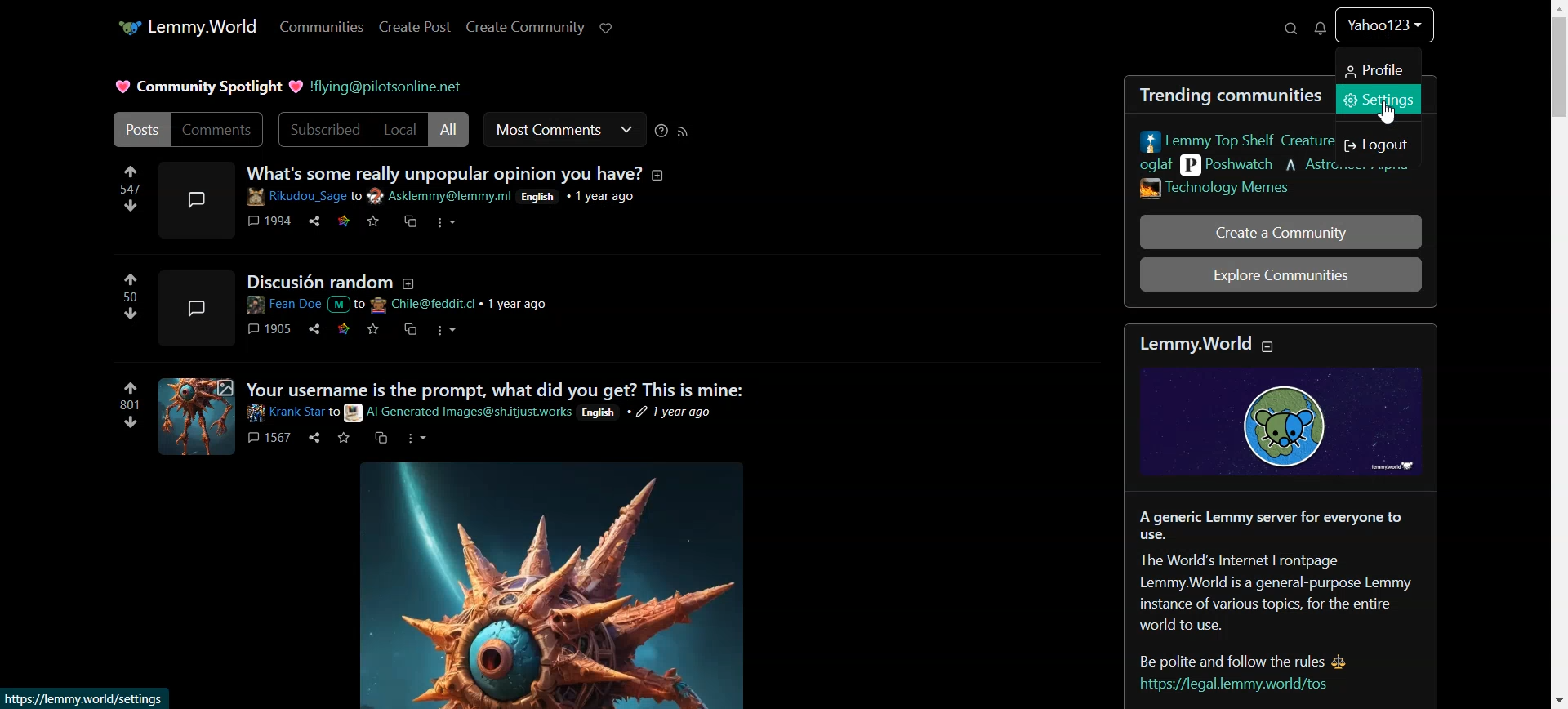 This screenshot has width=1568, height=709. What do you see at coordinates (323, 130) in the screenshot?
I see `Subscribed` at bounding box center [323, 130].